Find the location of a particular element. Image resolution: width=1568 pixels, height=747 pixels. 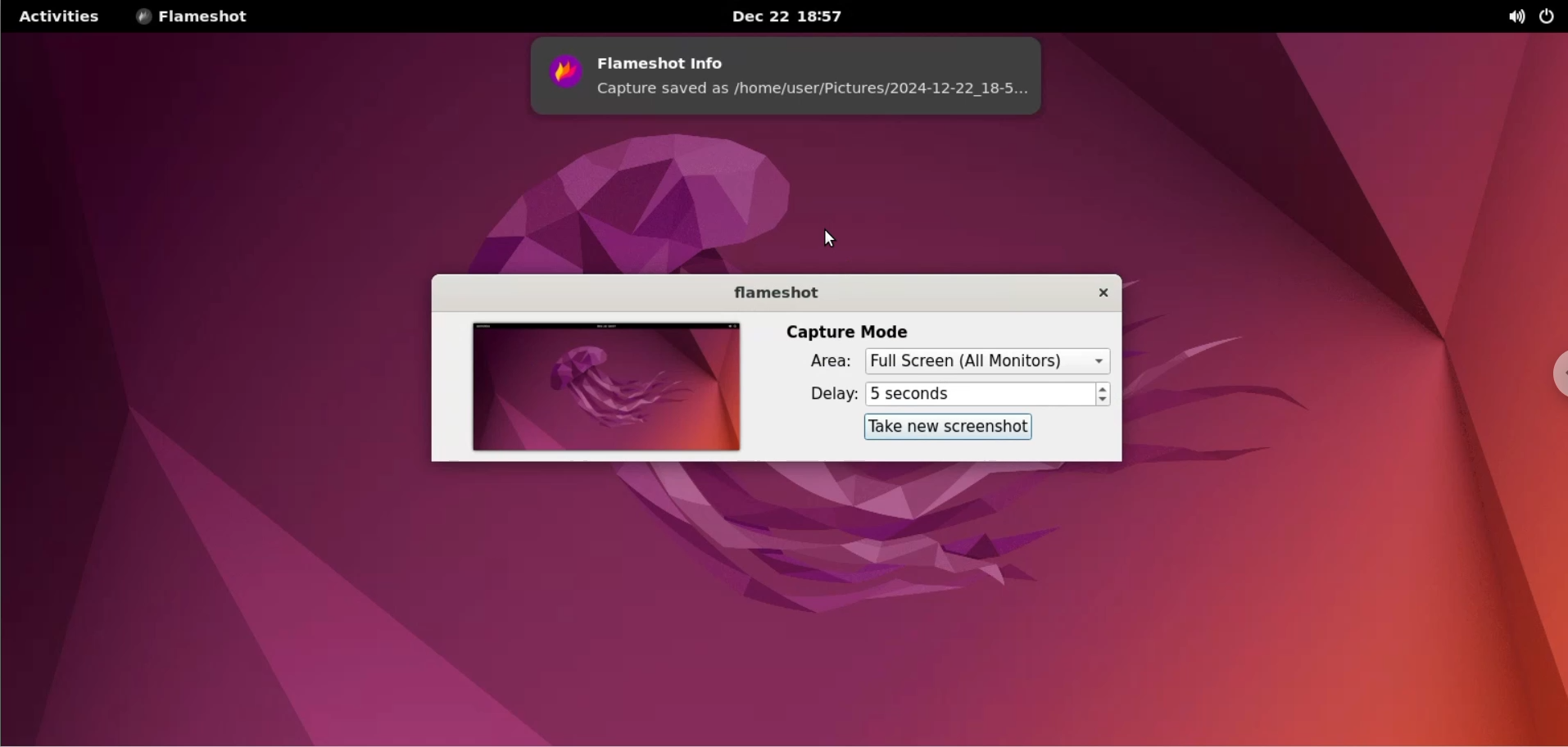

close is located at coordinates (1092, 292).